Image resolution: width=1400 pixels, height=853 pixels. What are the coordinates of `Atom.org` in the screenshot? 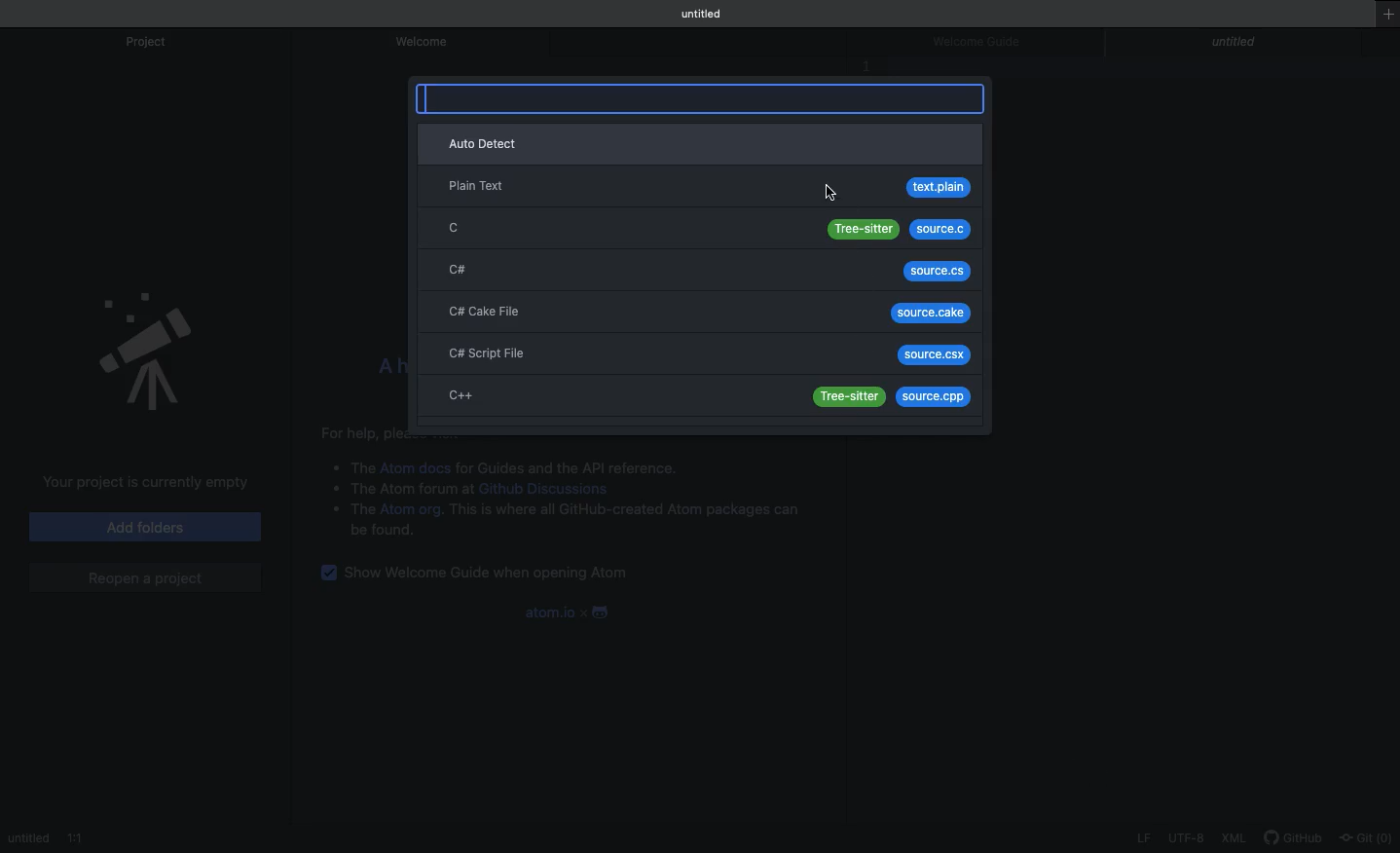 It's located at (414, 510).